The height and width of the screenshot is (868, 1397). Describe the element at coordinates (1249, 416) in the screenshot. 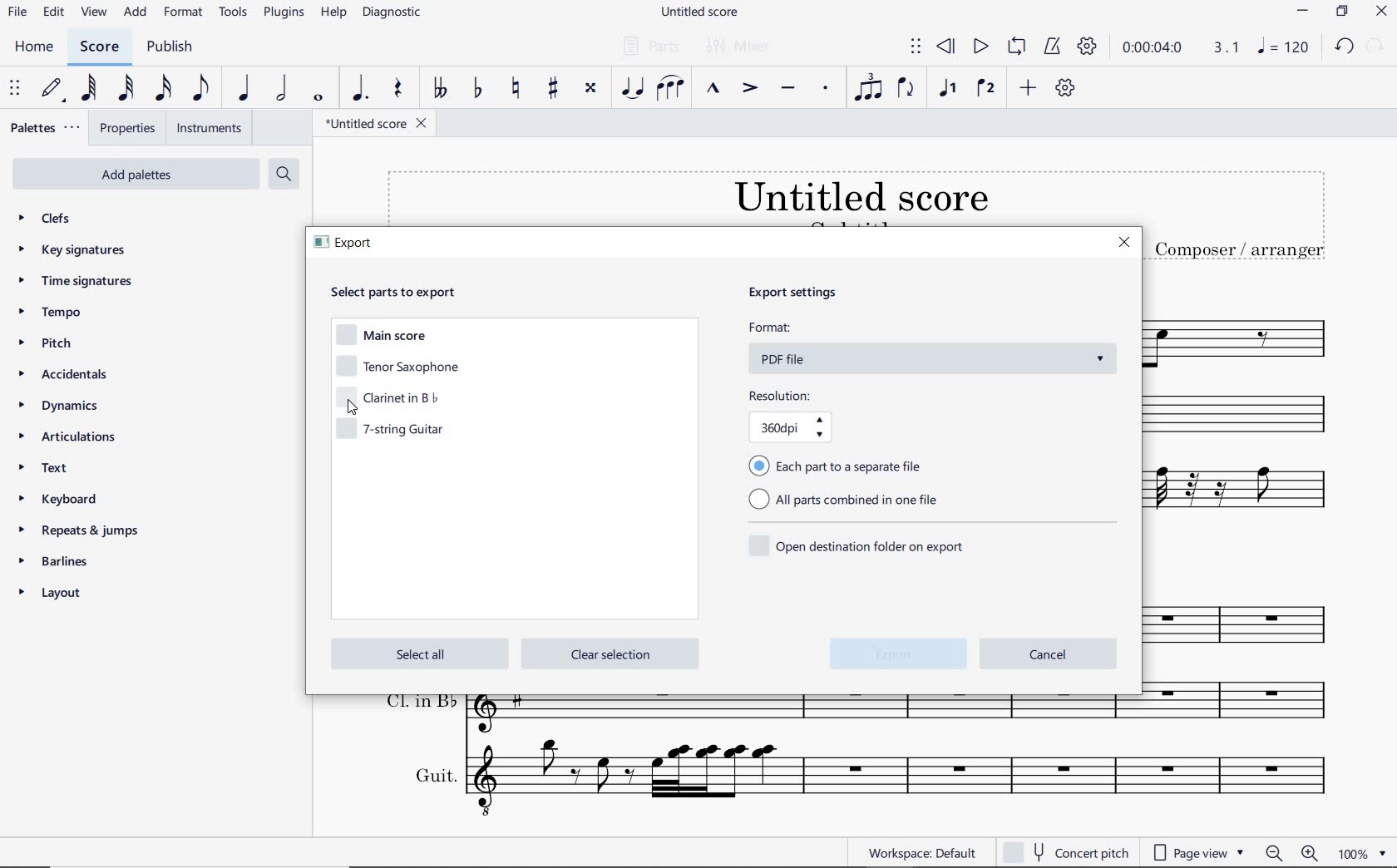

I see `Clarinet in b` at that location.